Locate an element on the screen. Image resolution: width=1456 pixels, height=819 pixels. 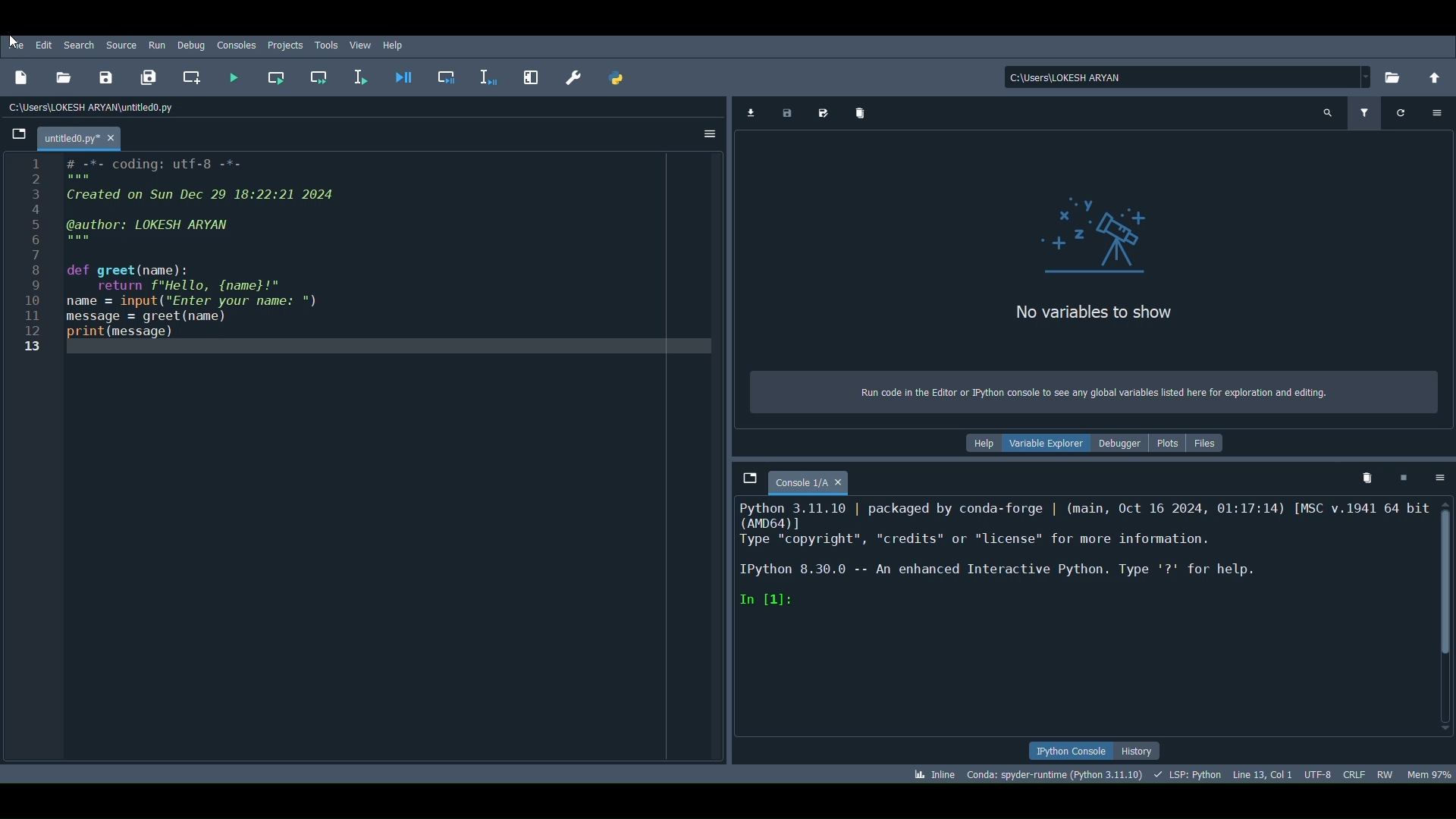
Tools is located at coordinates (327, 42).